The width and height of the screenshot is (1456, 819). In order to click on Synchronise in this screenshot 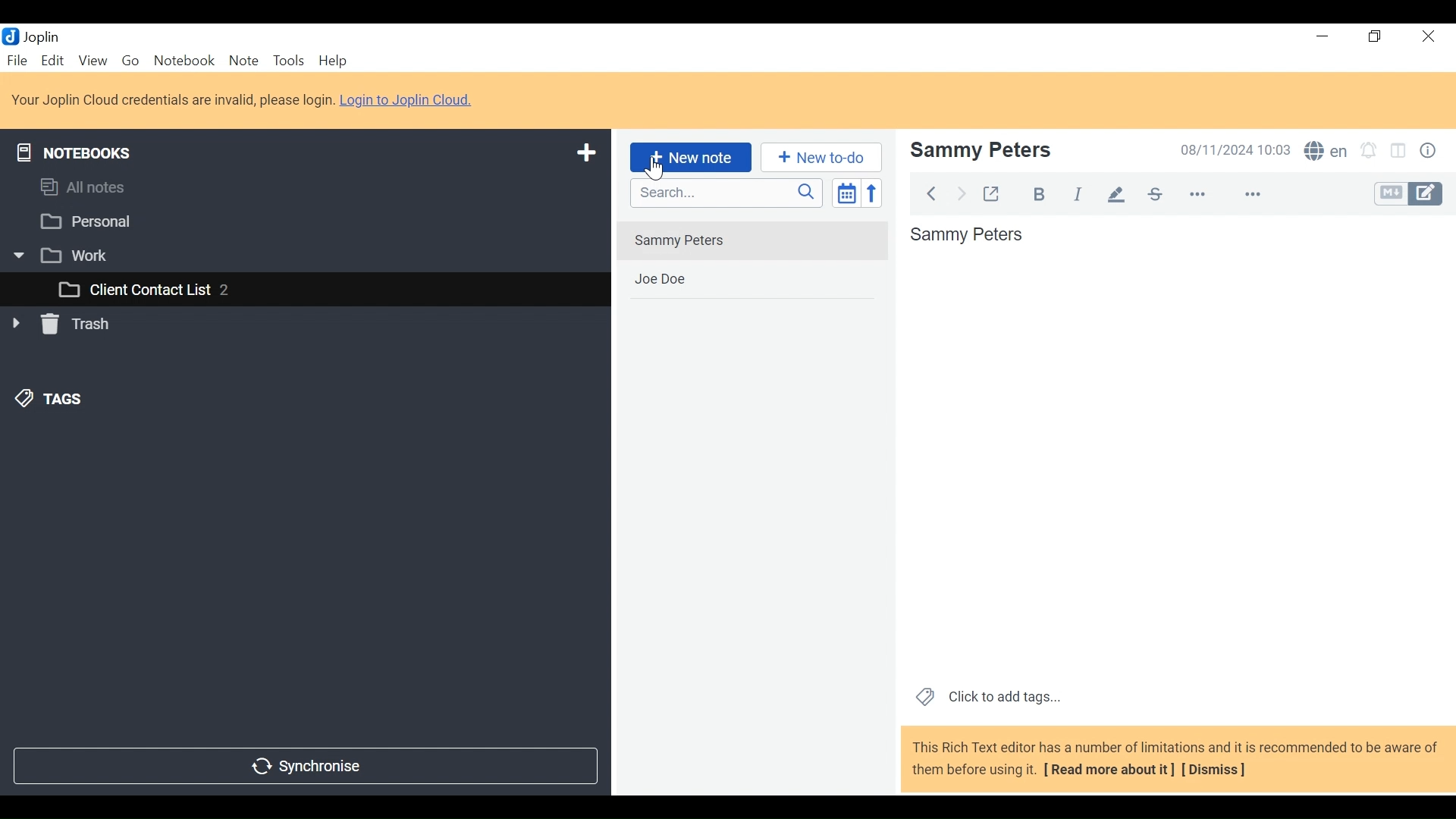, I will do `click(306, 767)`.